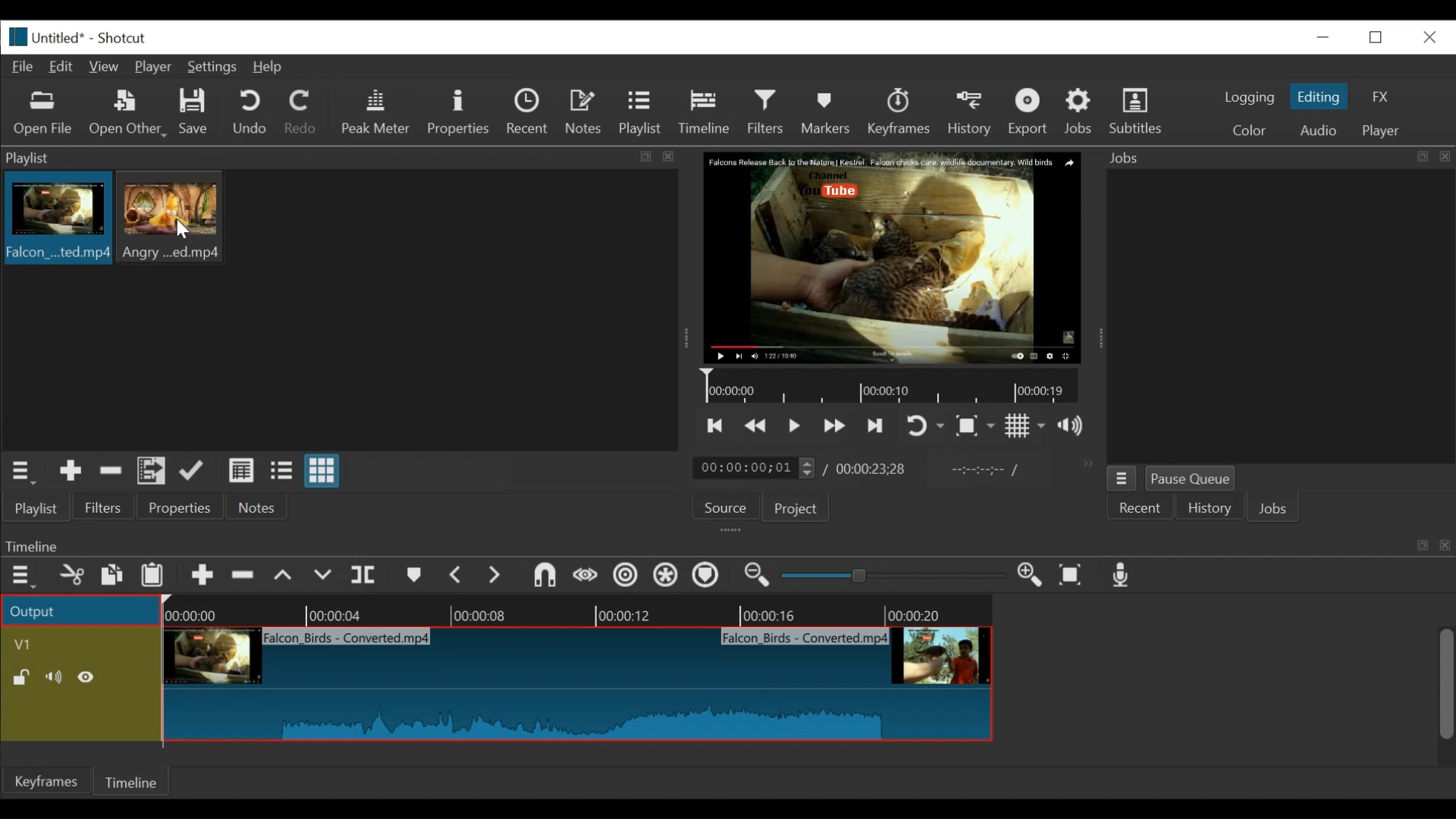 This screenshot has width=1456, height=819. I want to click on Timeline, so click(894, 387).